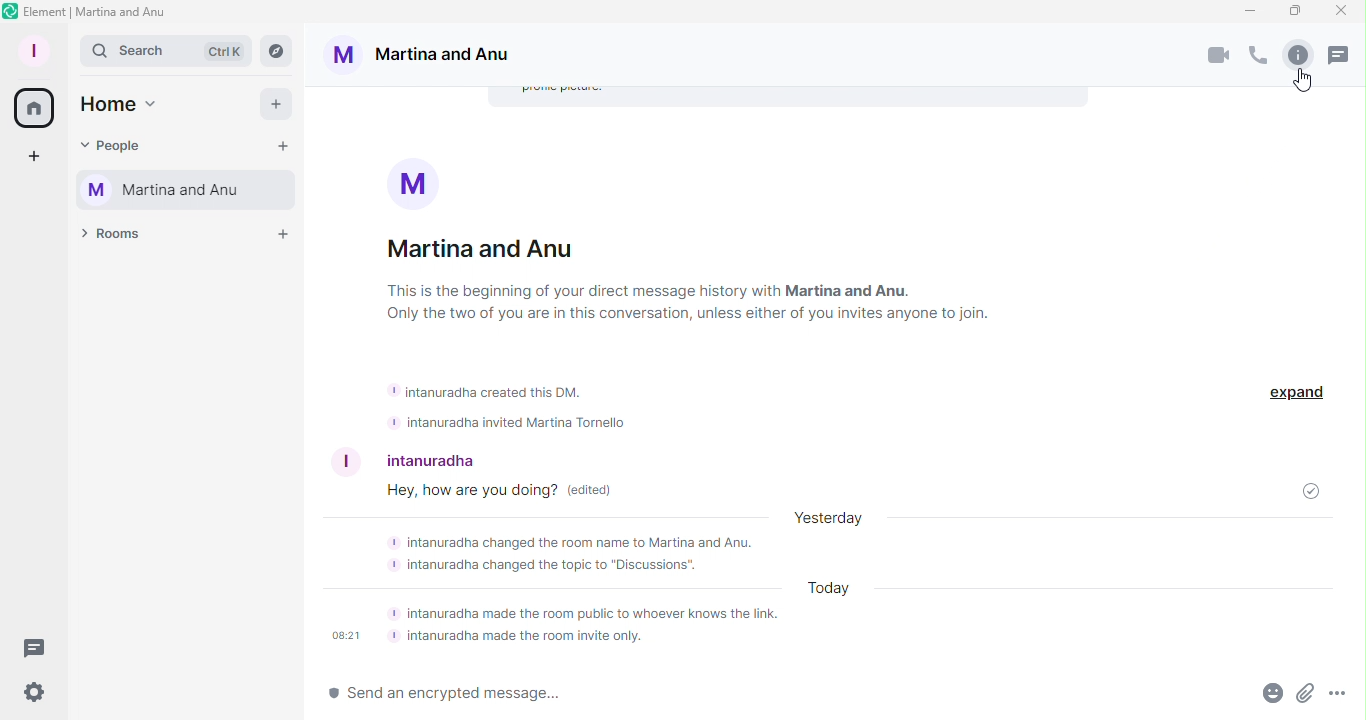 This screenshot has height=720, width=1366. I want to click on Close, so click(1342, 13).